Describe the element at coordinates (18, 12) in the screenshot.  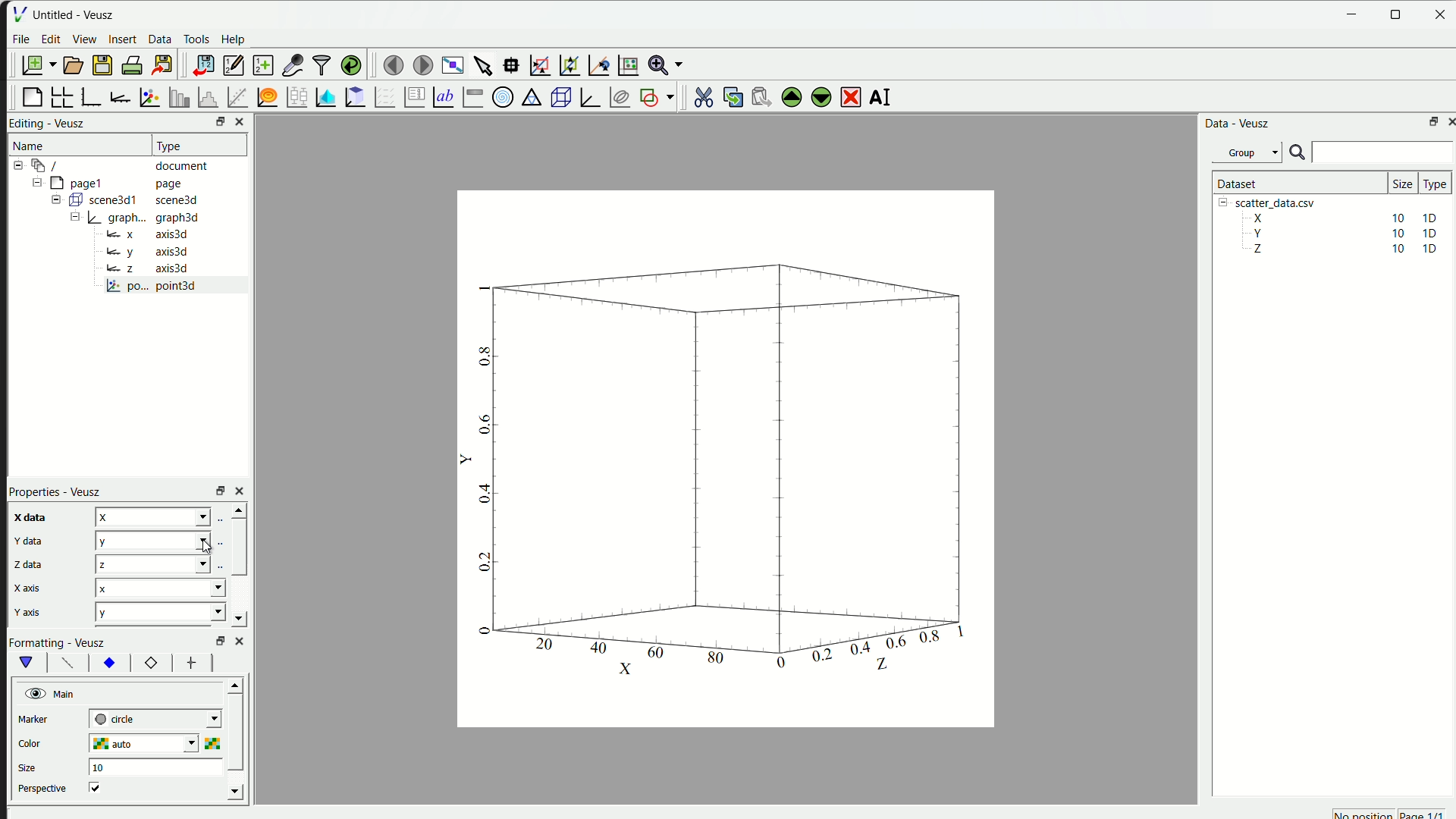
I see `| File` at that location.